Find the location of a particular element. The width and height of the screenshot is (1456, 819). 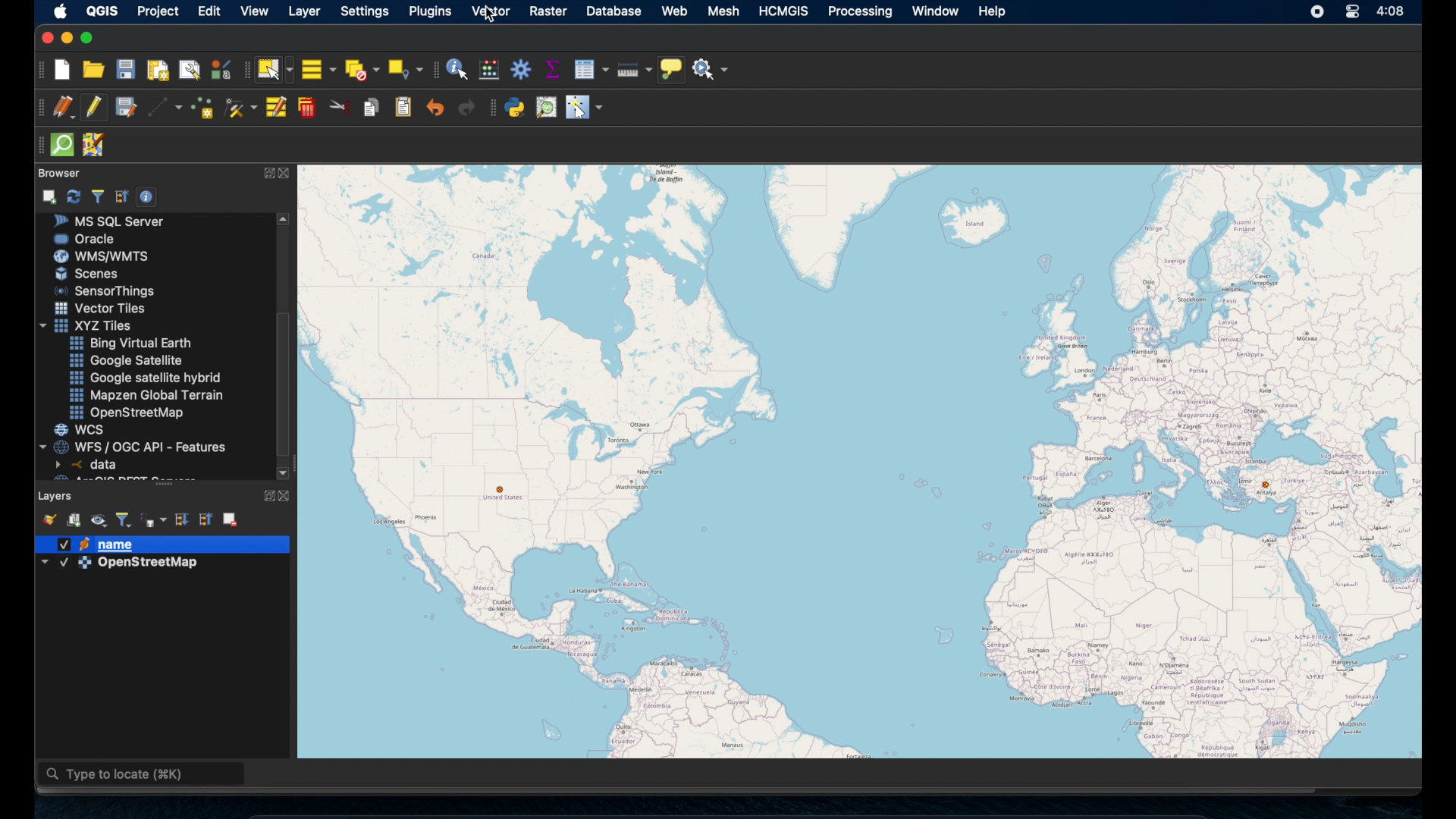

open field calculator is located at coordinates (488, 69).